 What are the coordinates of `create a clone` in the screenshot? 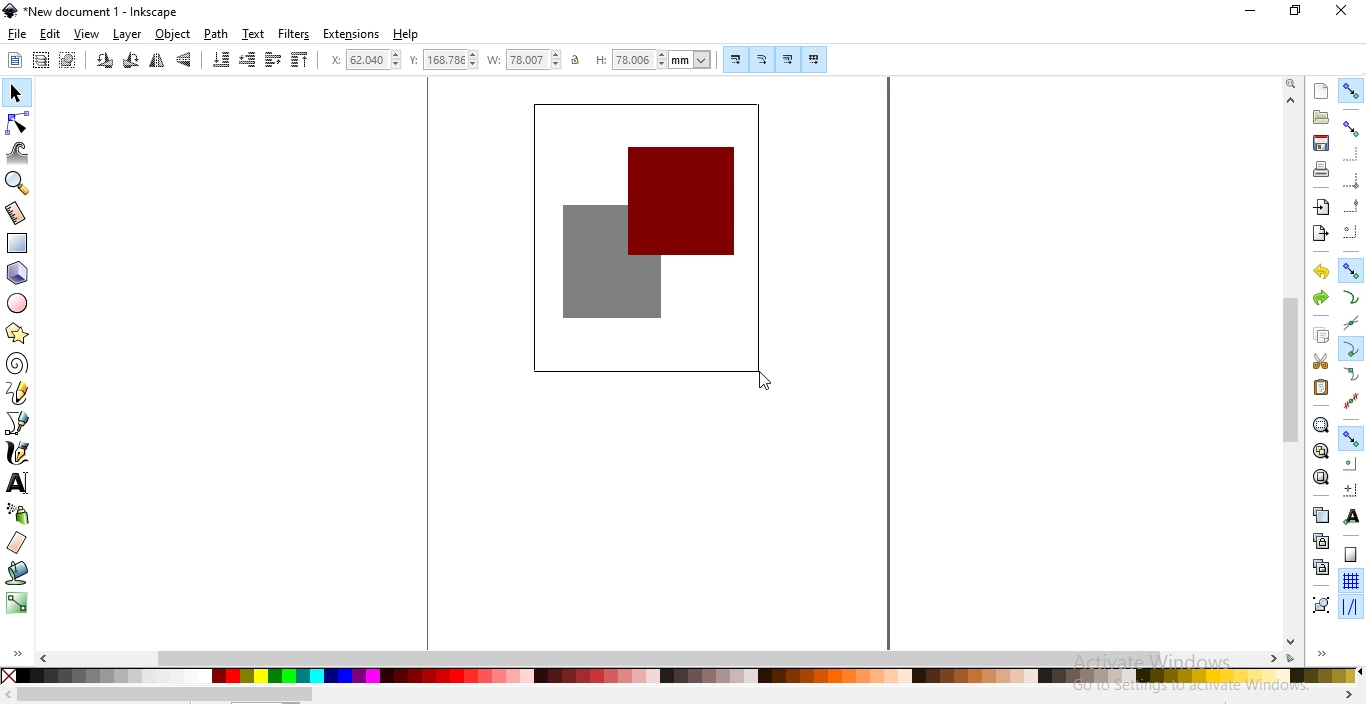 It's located at (1320, 541).